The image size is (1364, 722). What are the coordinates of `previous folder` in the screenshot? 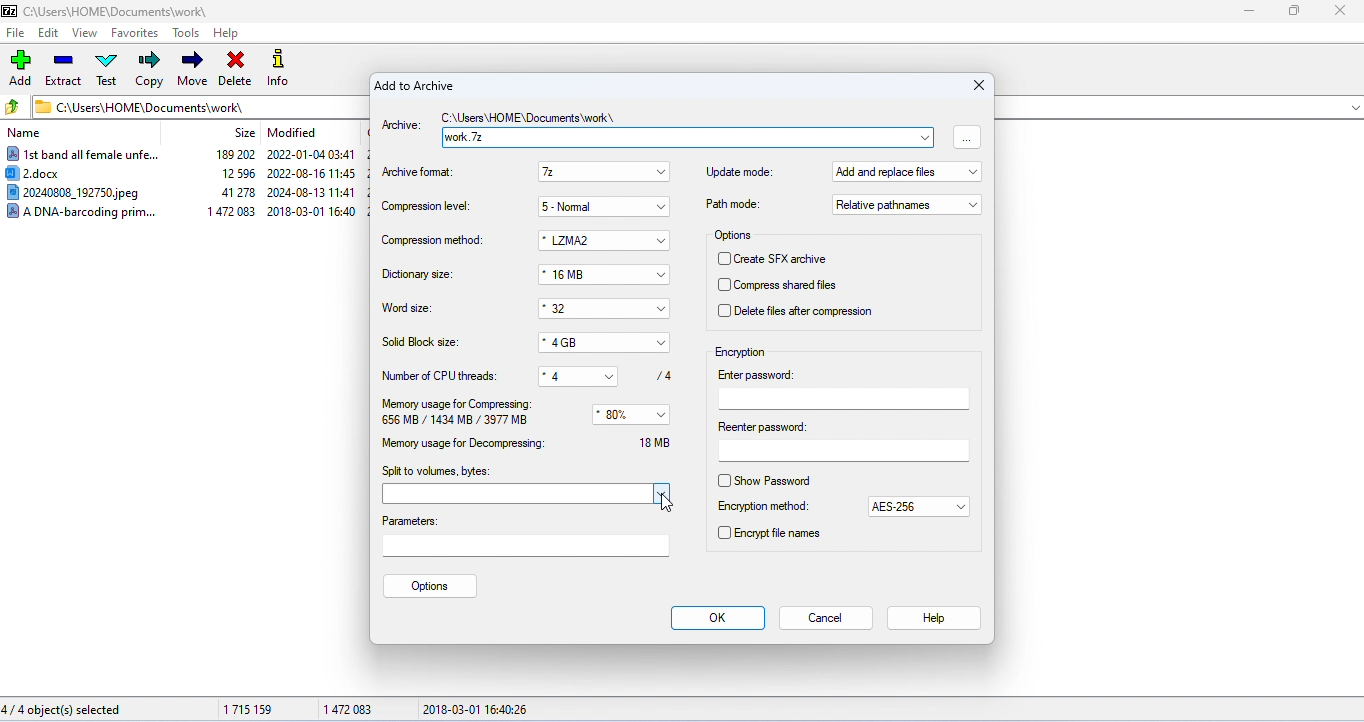 It's located at (14, 106).